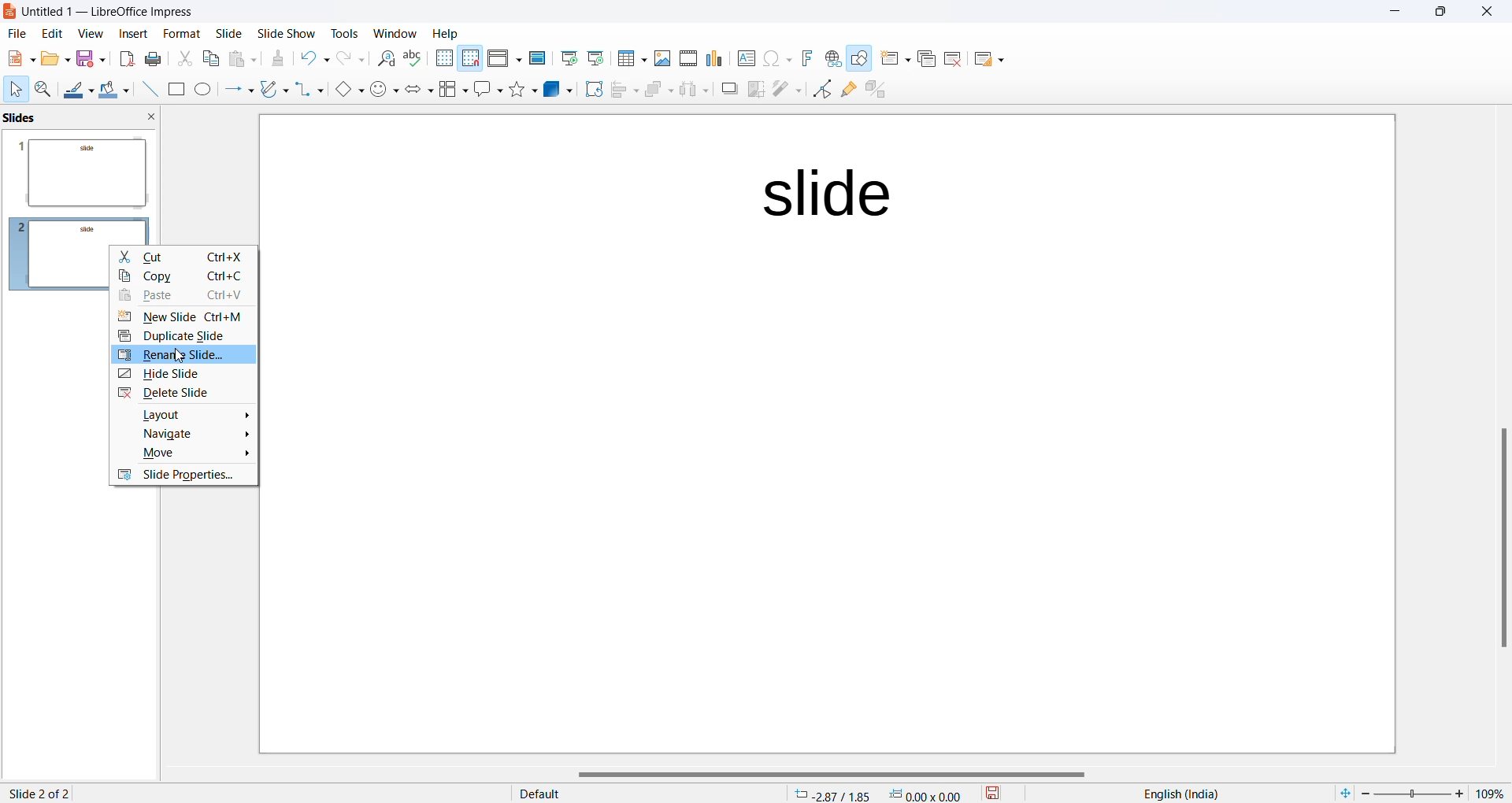  What do you see at coordinates (892, 60) in the screenshot?
I see `New slide` at bounding box center [892, 60].